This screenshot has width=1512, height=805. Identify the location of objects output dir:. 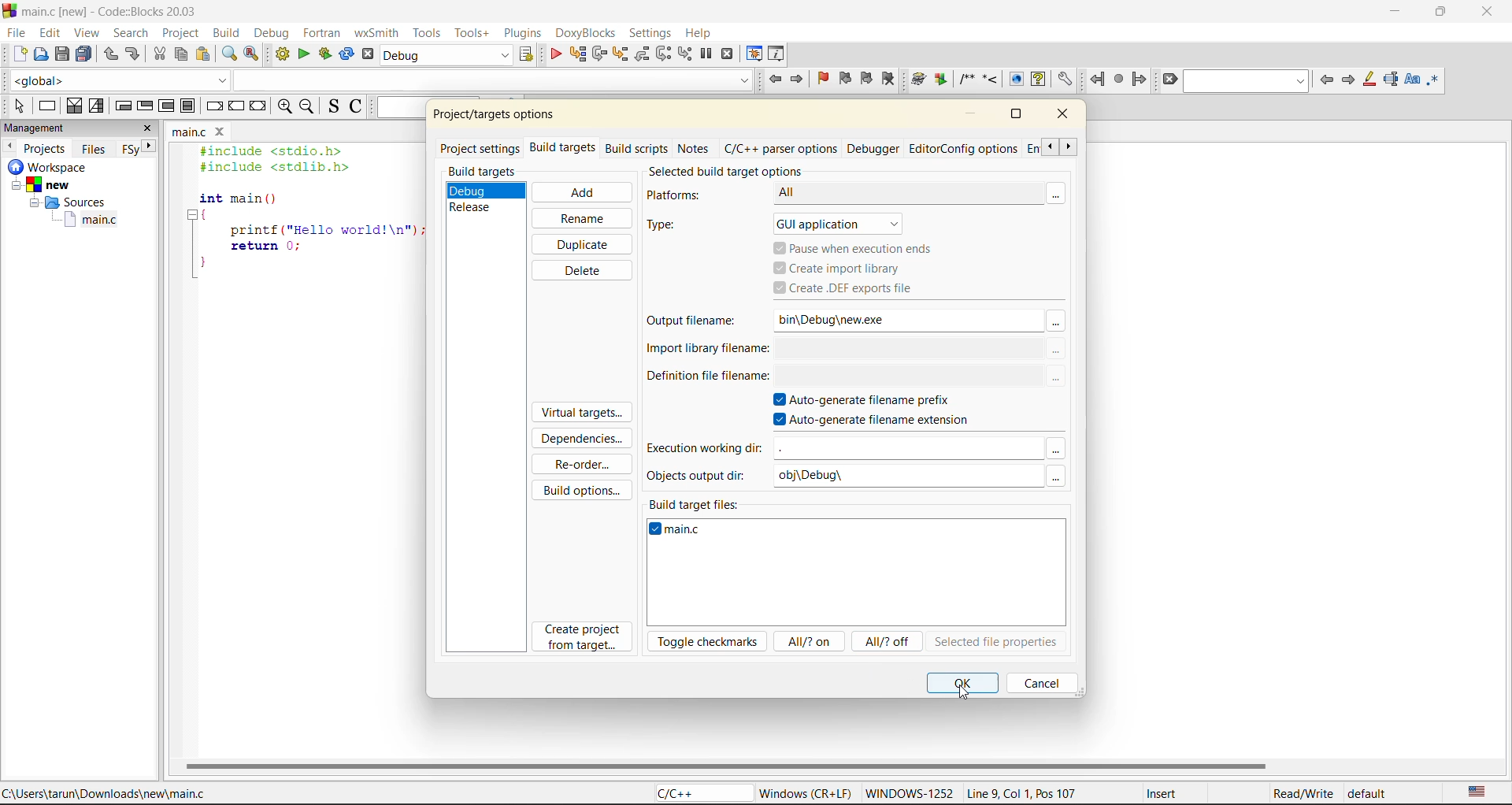
(705, 477).